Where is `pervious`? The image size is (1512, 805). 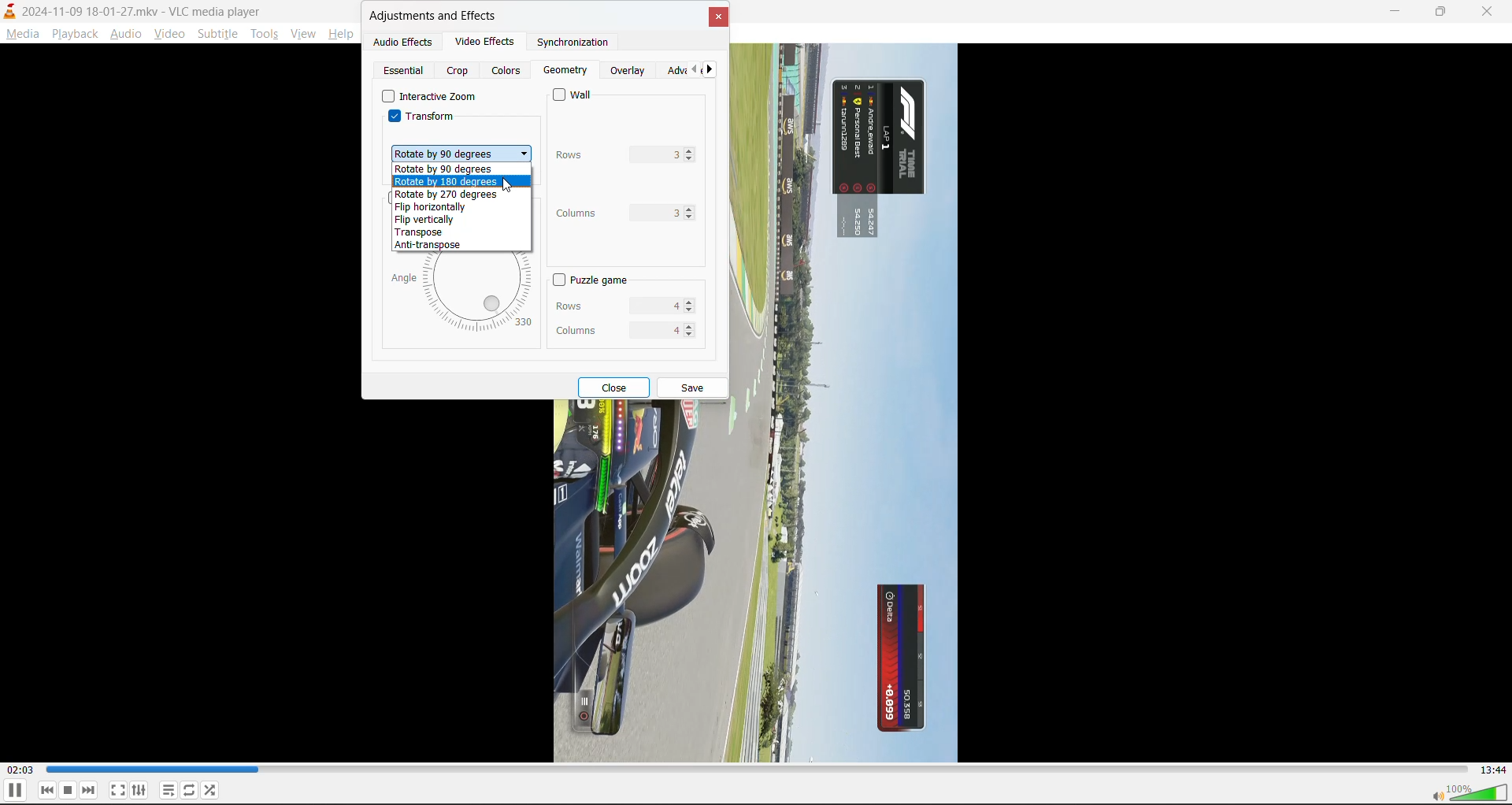
pervious is located at coordinates (692, 70).